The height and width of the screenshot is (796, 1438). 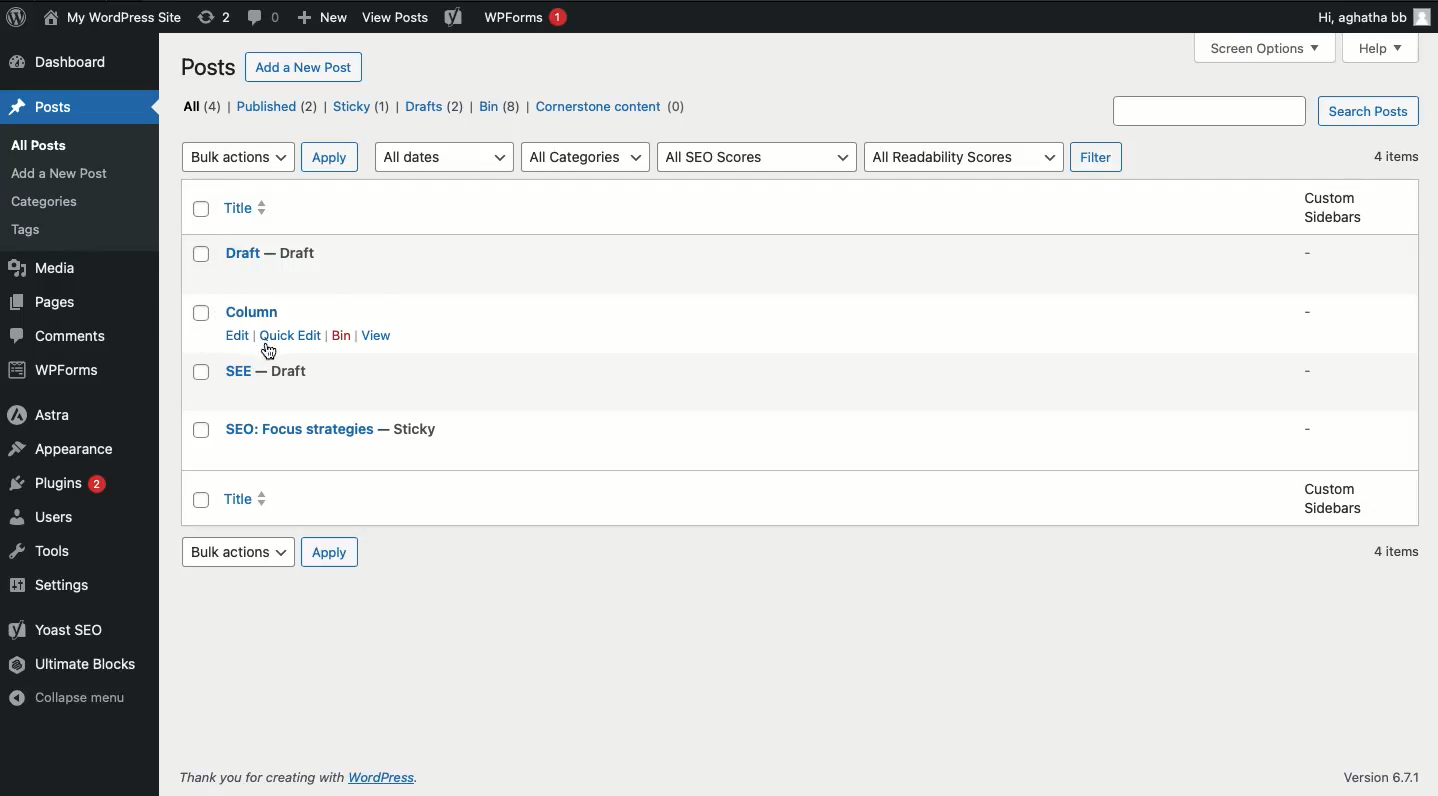 I want to click on Add a new post, so click(x=304, y=67).